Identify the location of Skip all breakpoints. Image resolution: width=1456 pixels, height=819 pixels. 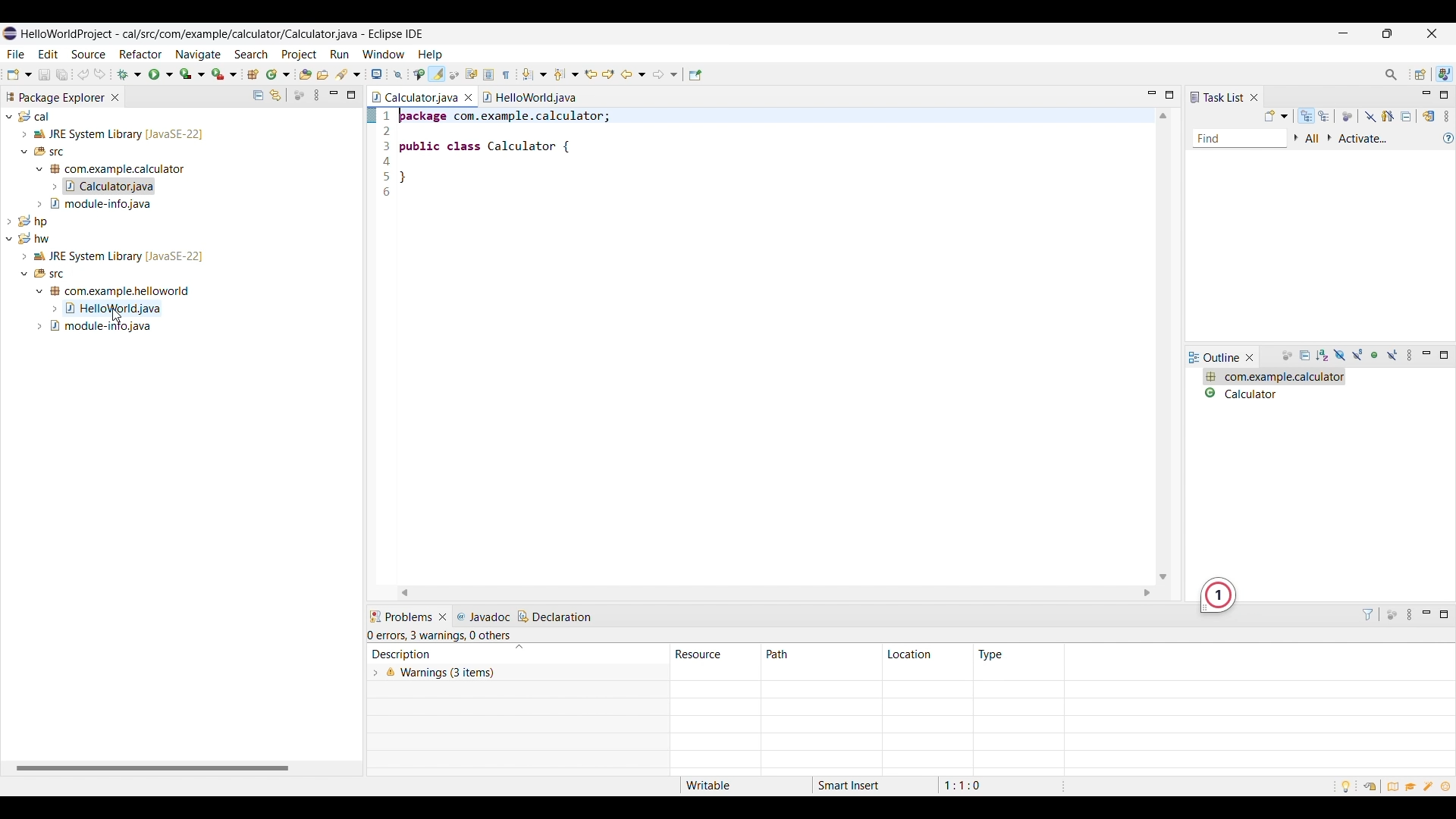
(397, 75).